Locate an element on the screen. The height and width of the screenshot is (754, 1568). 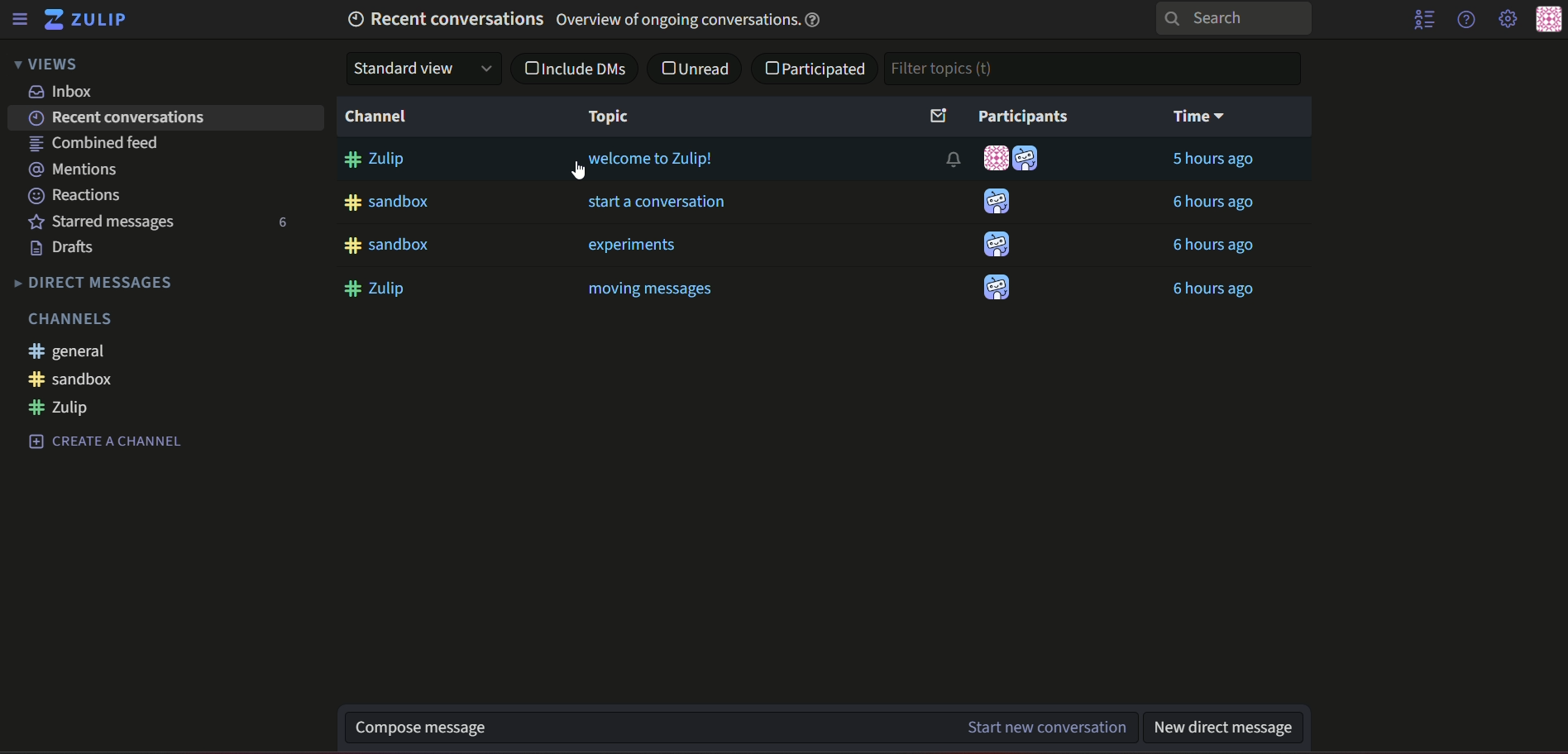
#sandbox is located at coordinates (389, 246).